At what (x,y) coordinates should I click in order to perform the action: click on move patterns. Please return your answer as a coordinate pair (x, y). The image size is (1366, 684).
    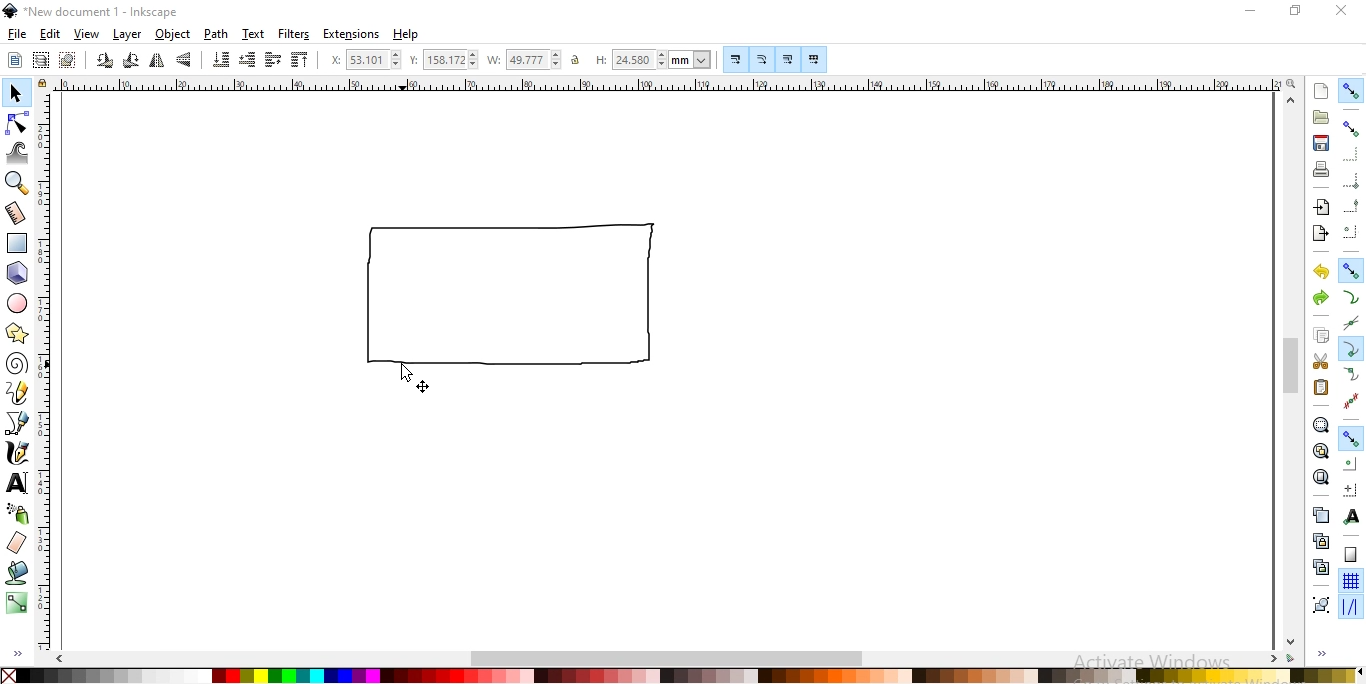
    Looking at the image, I should click on (817, 59).